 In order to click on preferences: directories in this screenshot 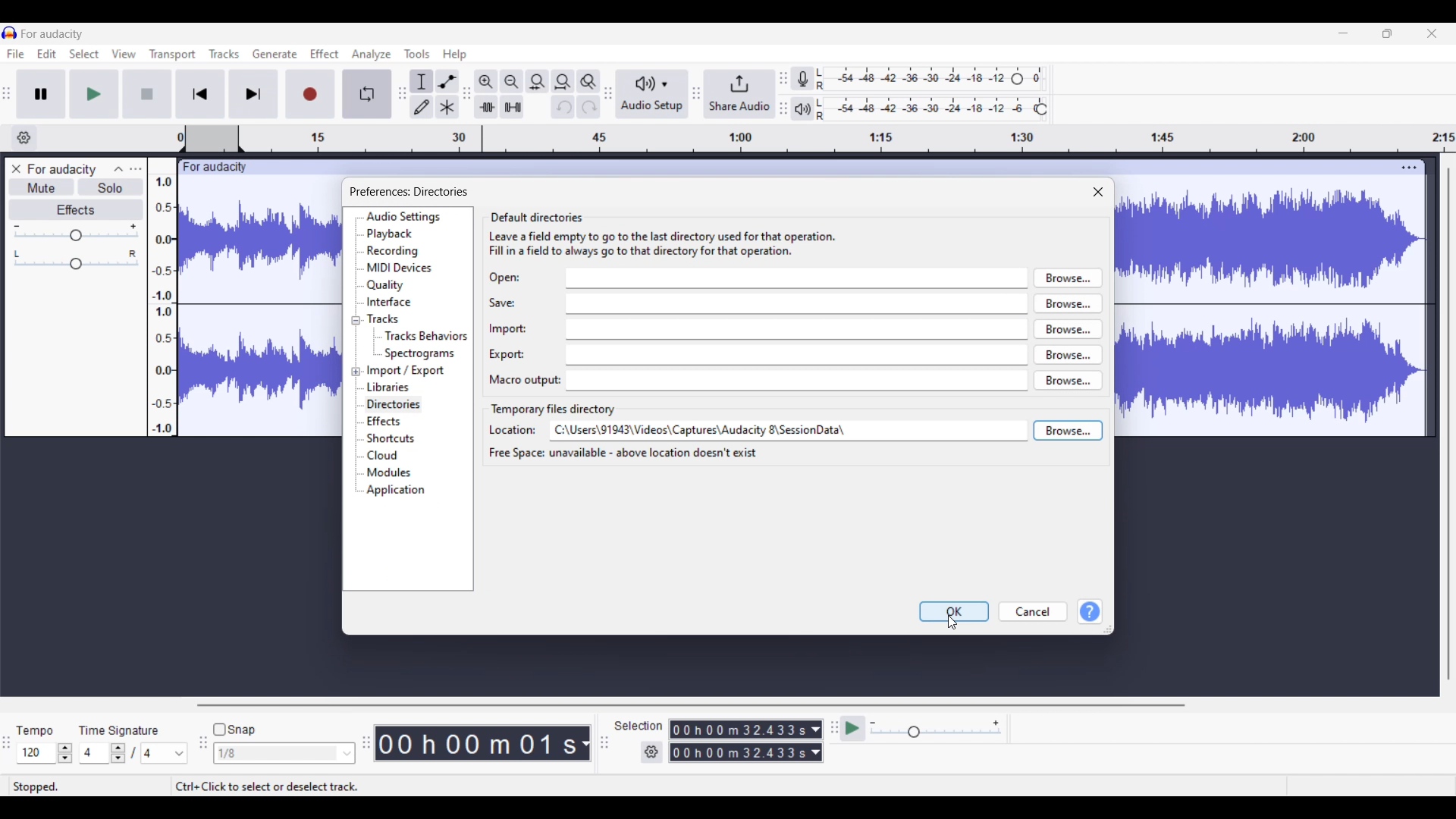, I will do `click(409, 192)`.